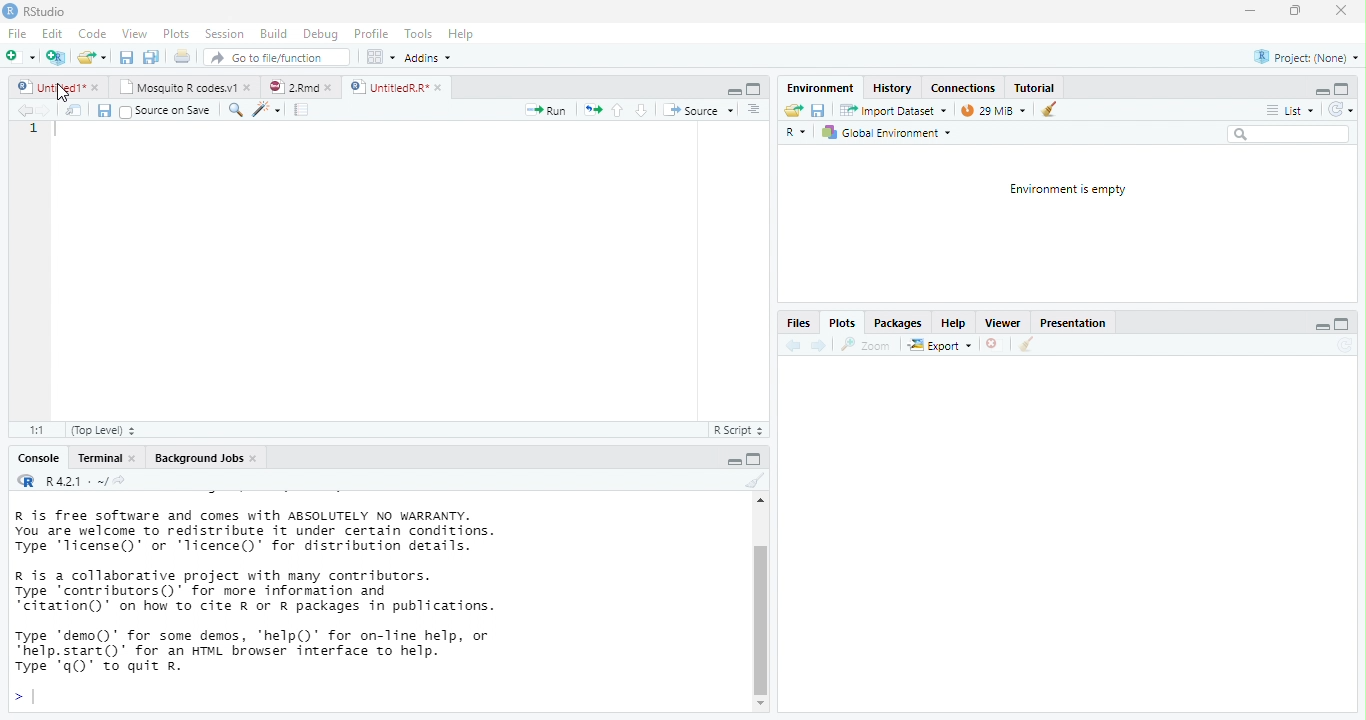  I want to click on maximize, so click(1295, 11).